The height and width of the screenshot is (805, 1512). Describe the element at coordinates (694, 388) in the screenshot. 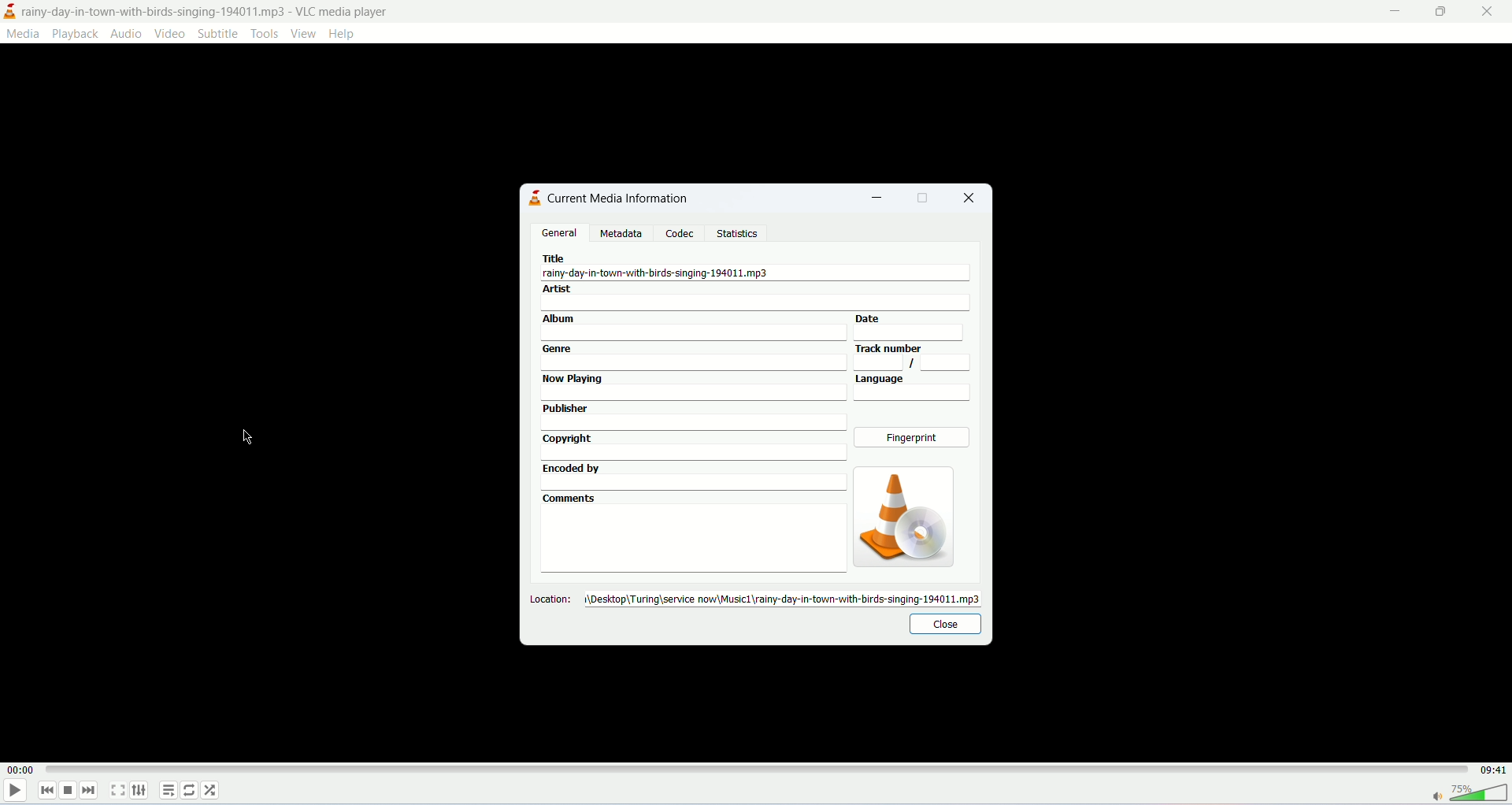

I see `now playing` at that location.